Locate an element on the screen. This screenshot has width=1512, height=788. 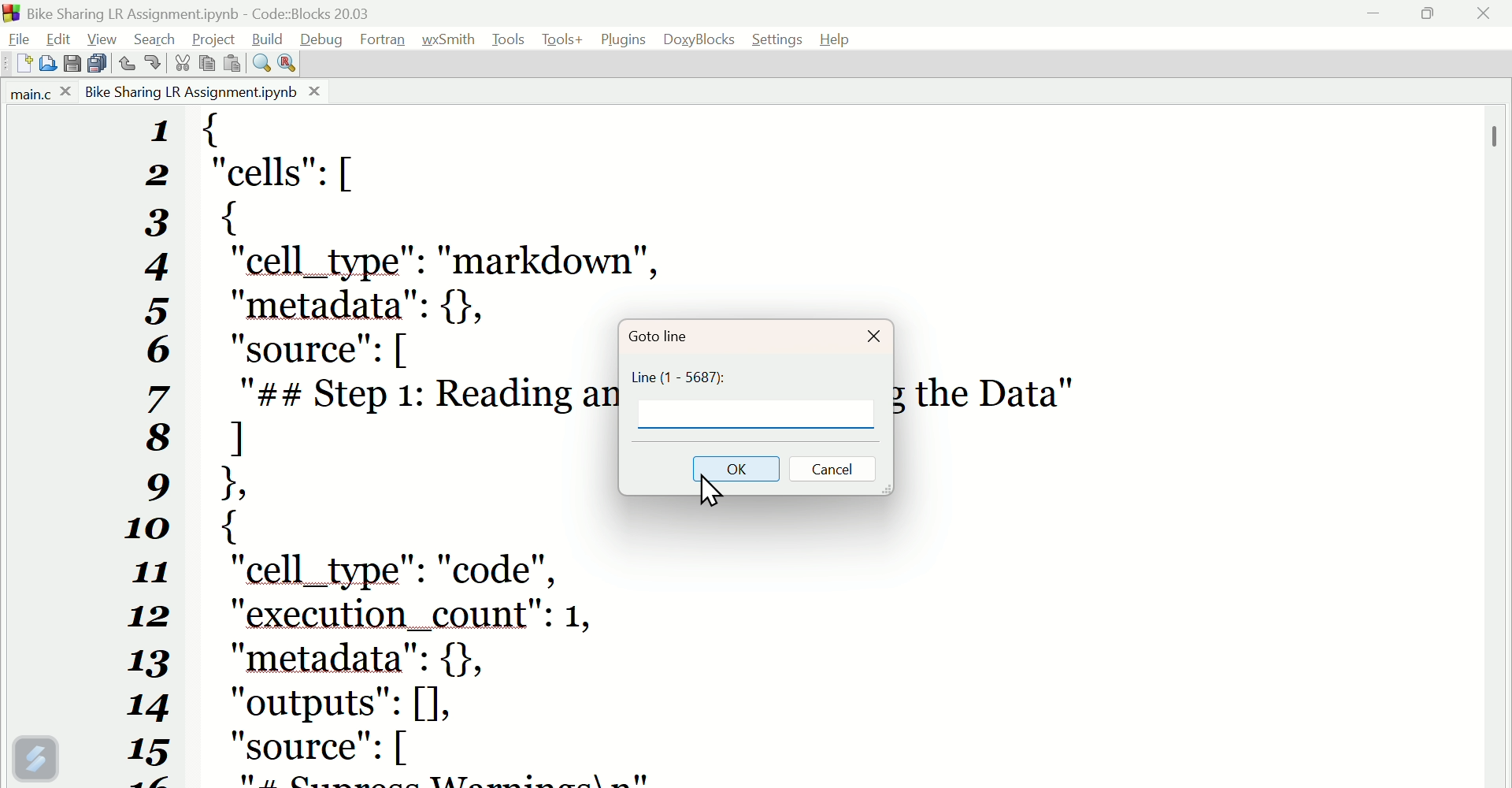
Copy is located at coordinates (207, 64).